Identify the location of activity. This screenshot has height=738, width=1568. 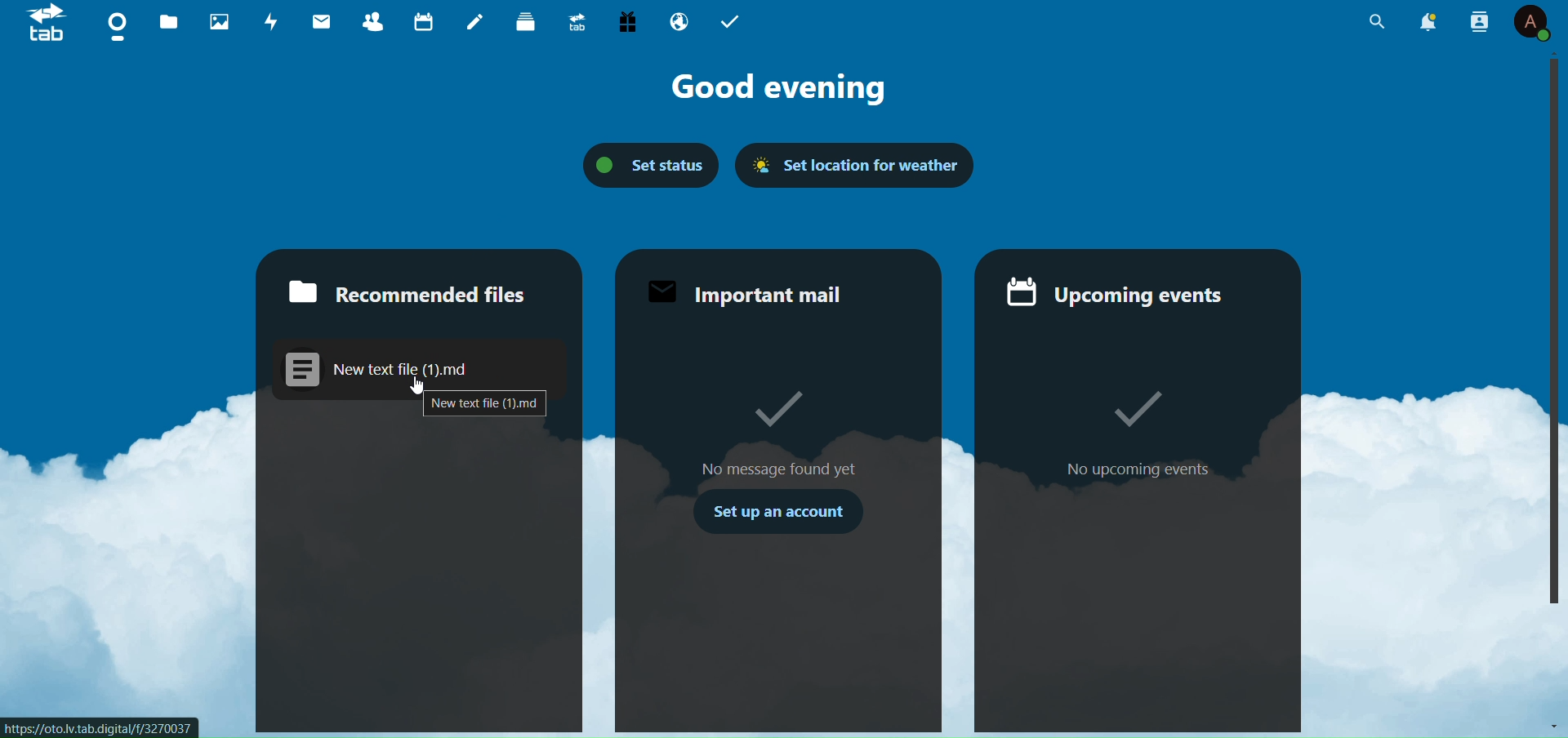
(267, 21).